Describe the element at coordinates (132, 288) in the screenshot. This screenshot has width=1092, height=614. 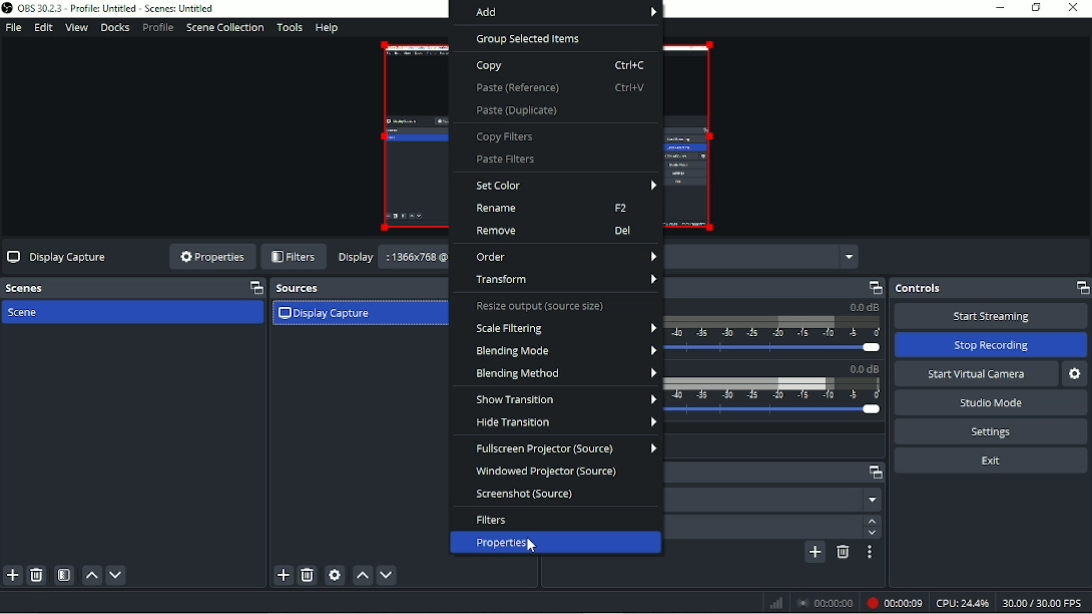
I see `Scenes` at that location.